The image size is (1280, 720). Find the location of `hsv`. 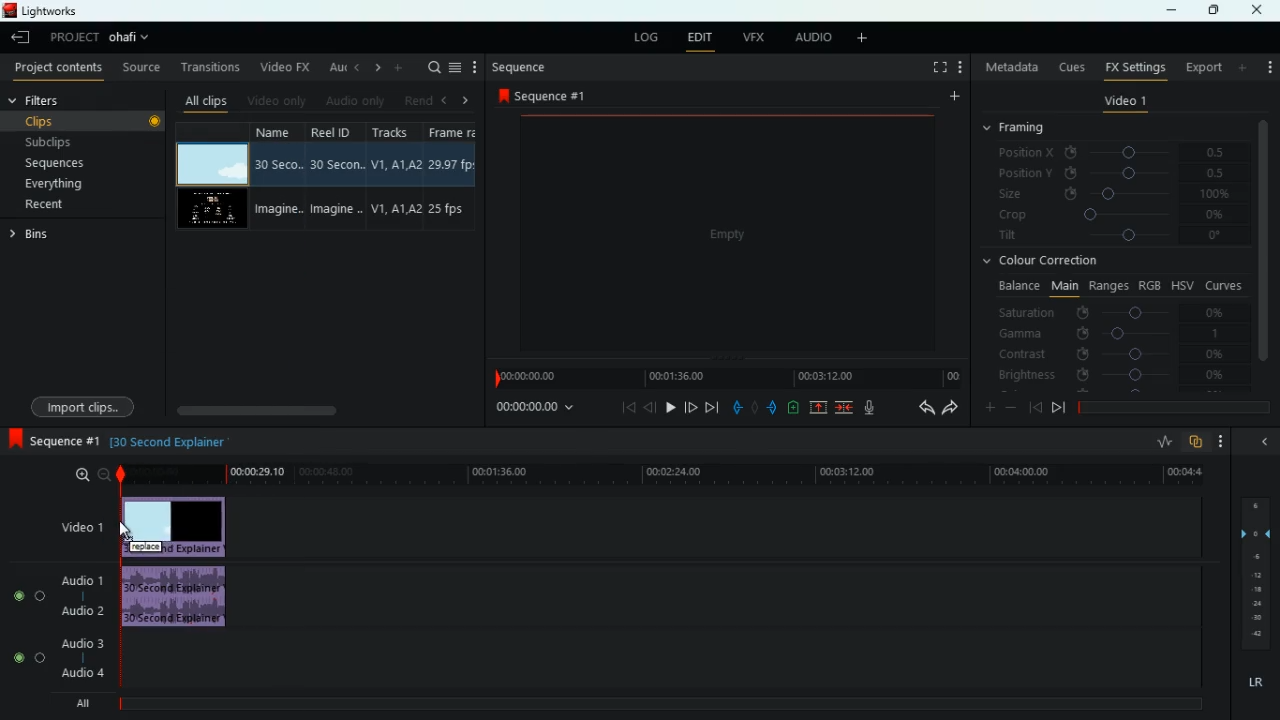

hsv is located at coordinates (1182, 285).